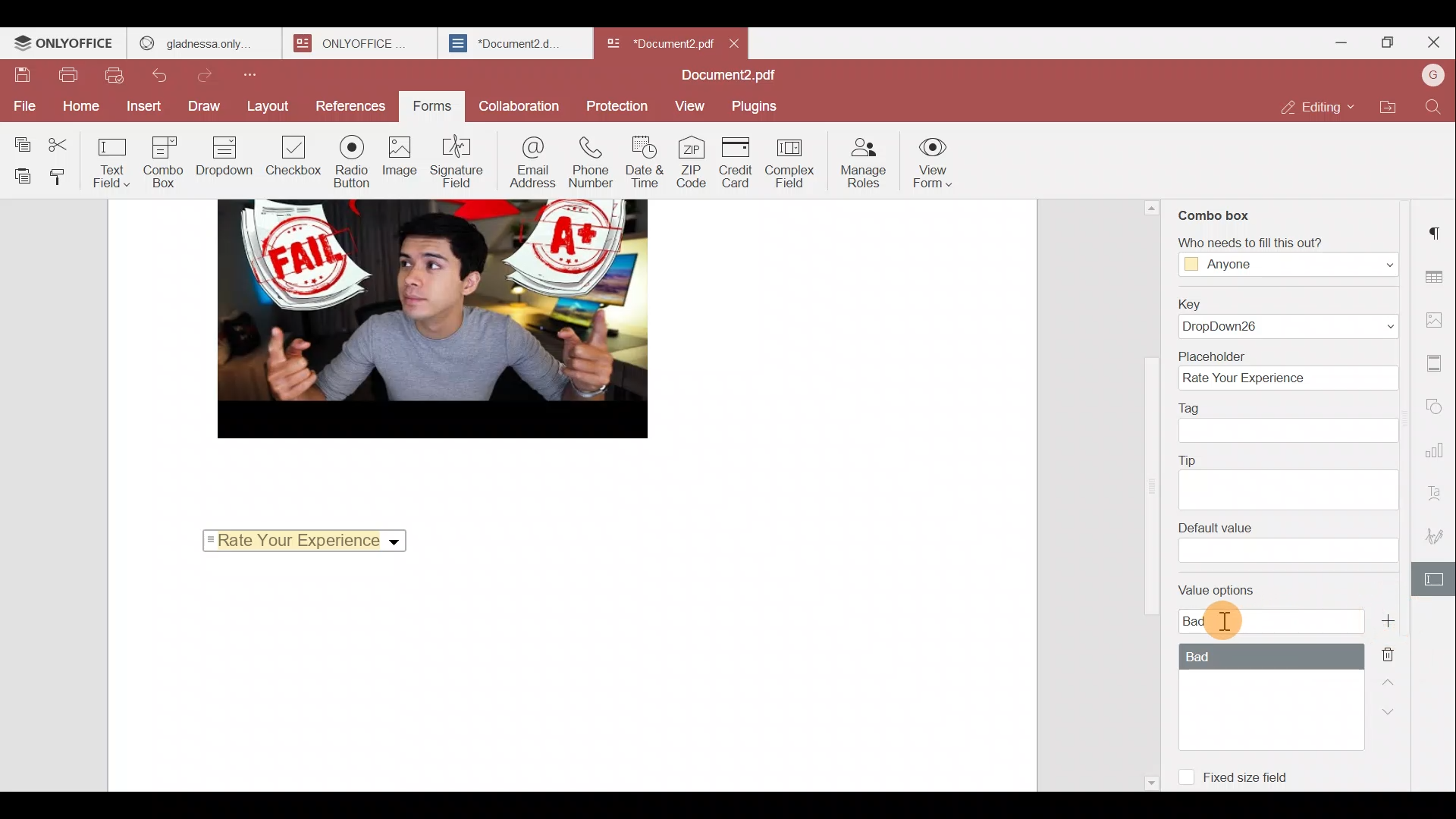 Image resolution: width=1456 pixels, height=819 pixels. I want to click on Default value, so click(1287, 542).